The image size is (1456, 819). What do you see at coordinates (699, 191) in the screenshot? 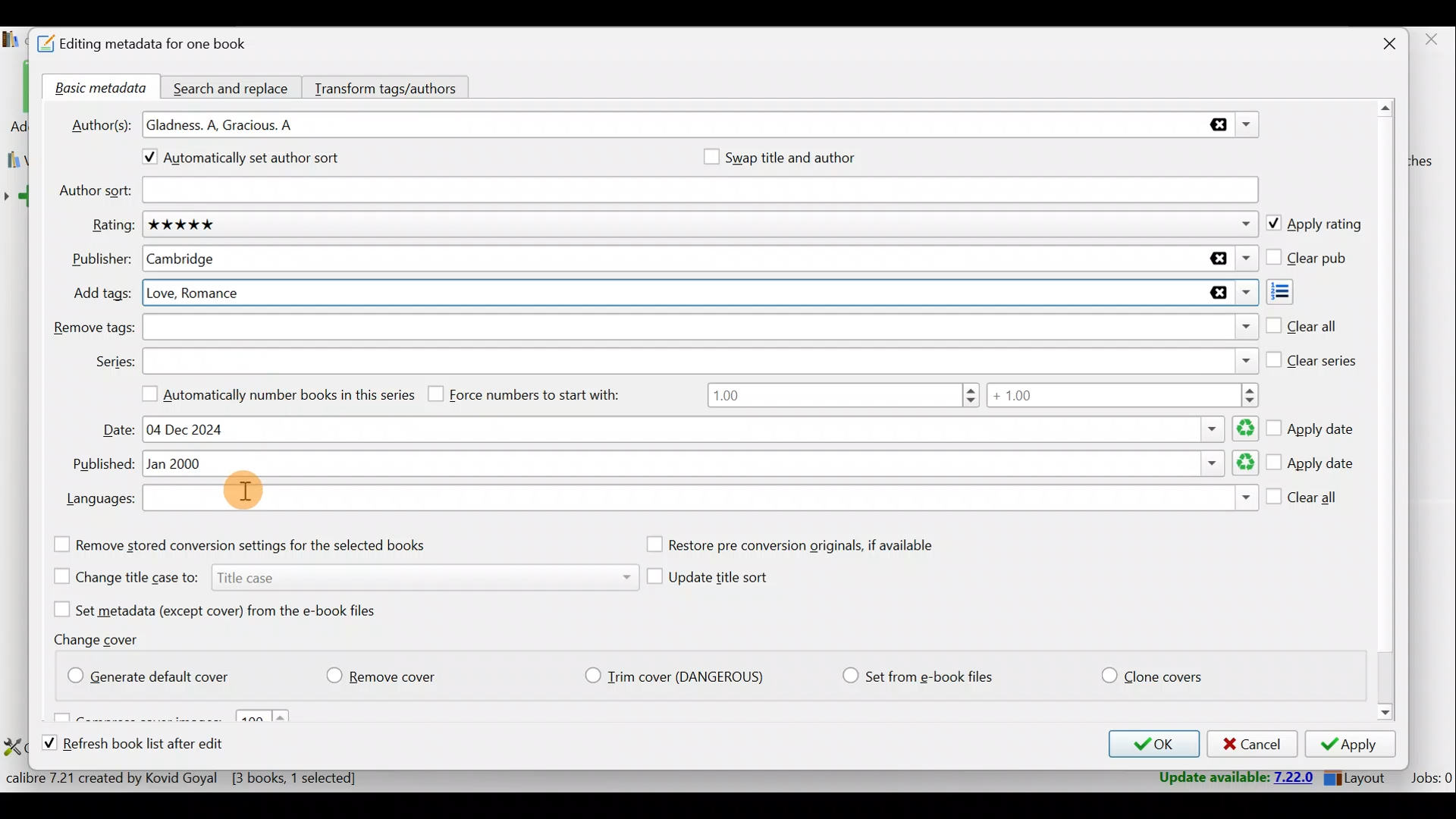
I see `Author sort` at bounding box center [699, 191].